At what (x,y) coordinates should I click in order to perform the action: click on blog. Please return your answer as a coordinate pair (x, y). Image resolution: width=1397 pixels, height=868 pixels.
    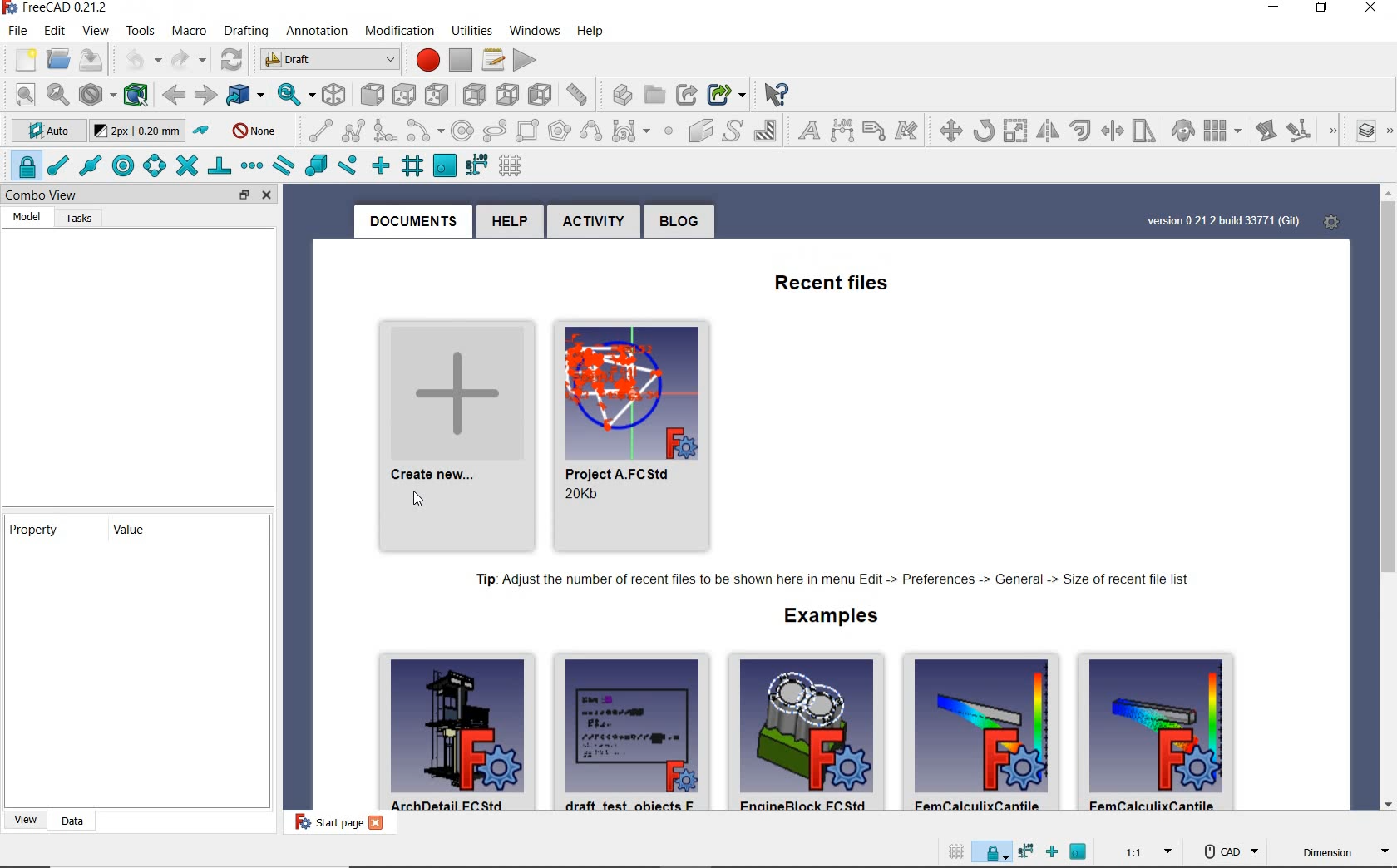
    Looking at the image, I should click on (682, 220).